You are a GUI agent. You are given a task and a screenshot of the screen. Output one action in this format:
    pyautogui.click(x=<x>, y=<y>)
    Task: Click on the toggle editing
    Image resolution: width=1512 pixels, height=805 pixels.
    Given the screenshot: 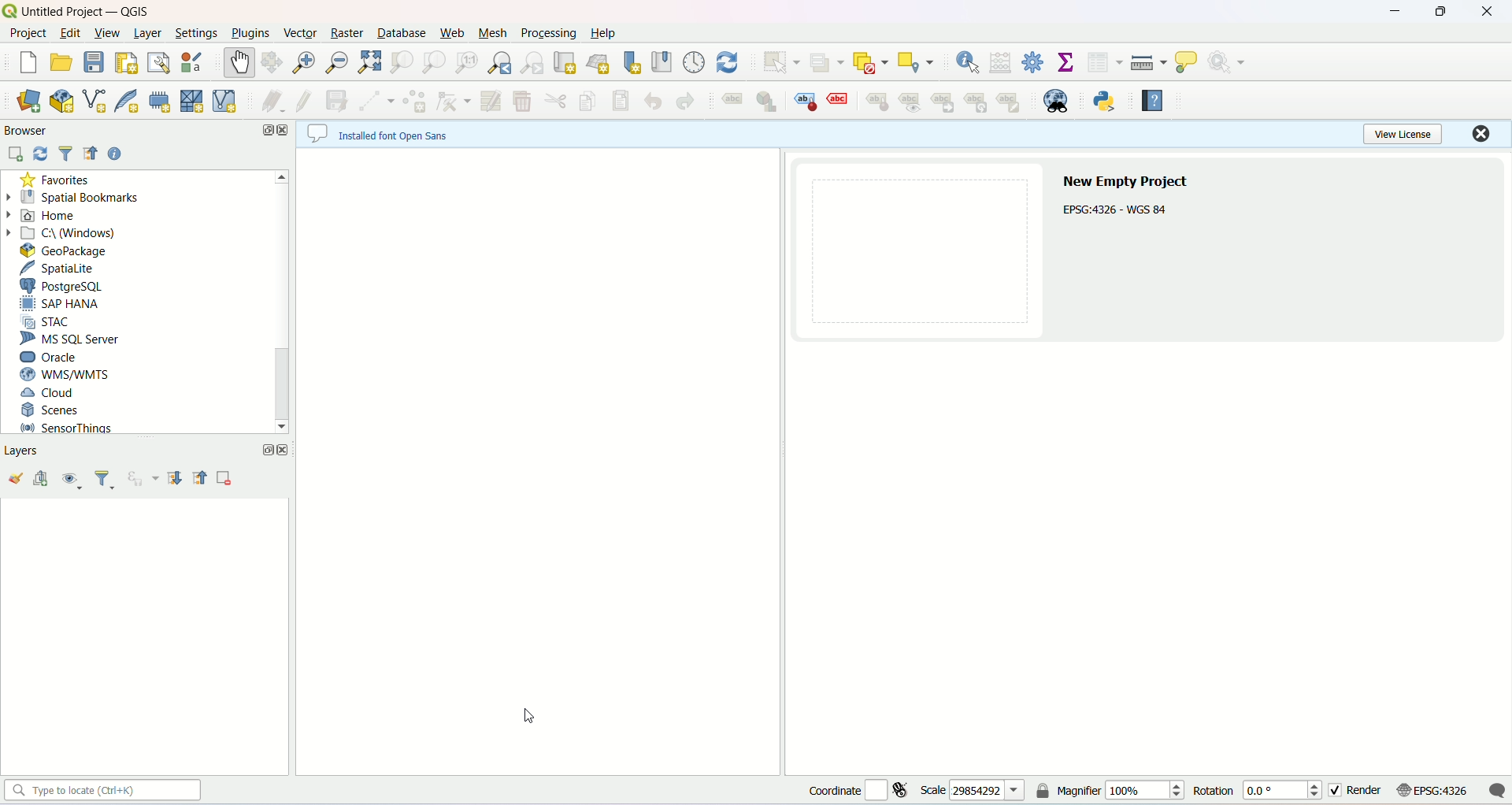 What is the action you would take?
    pyautogui.click(x=305, y=99)
    